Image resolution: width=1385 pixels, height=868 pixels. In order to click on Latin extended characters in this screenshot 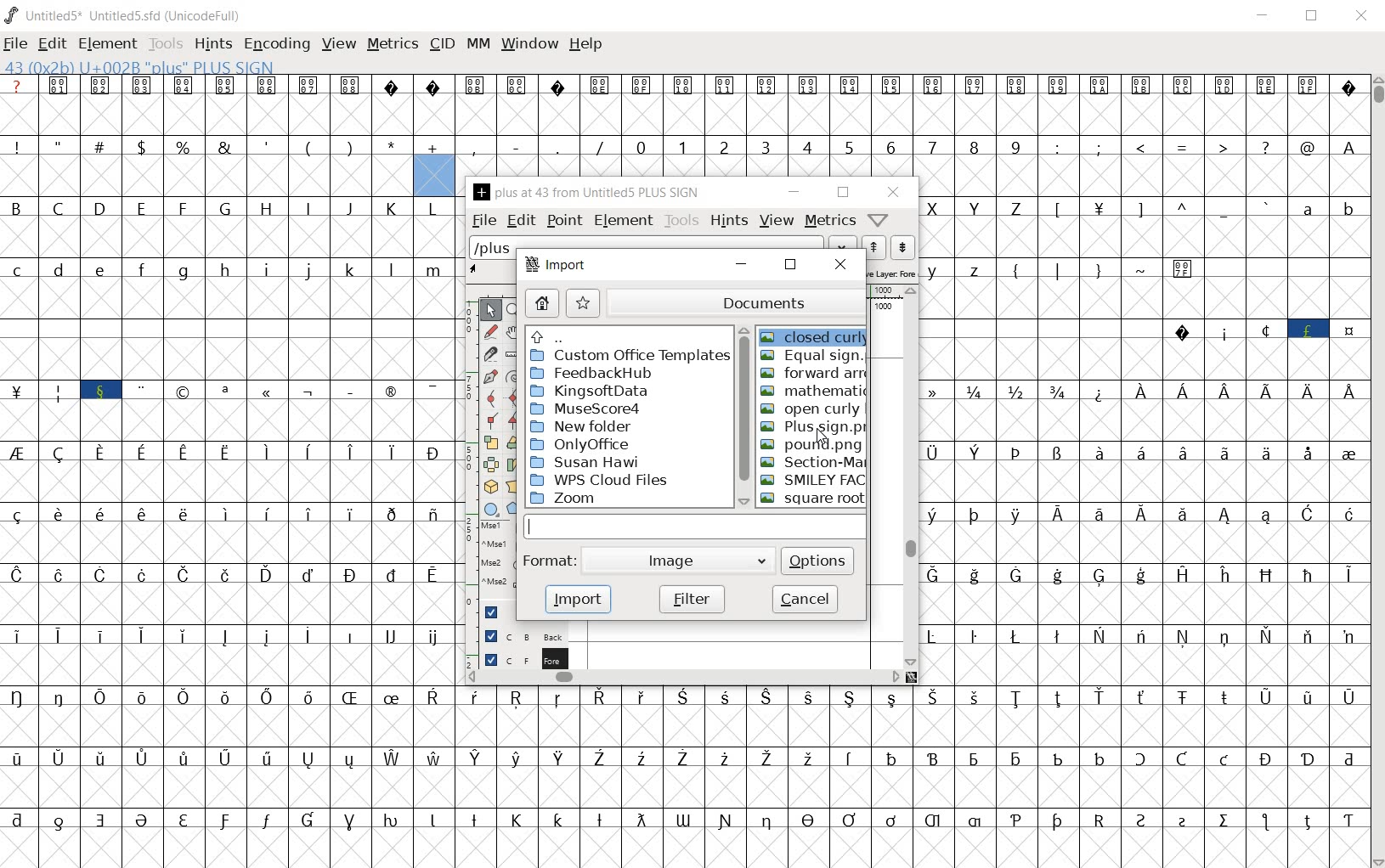, I will do `click(185, 657)`.